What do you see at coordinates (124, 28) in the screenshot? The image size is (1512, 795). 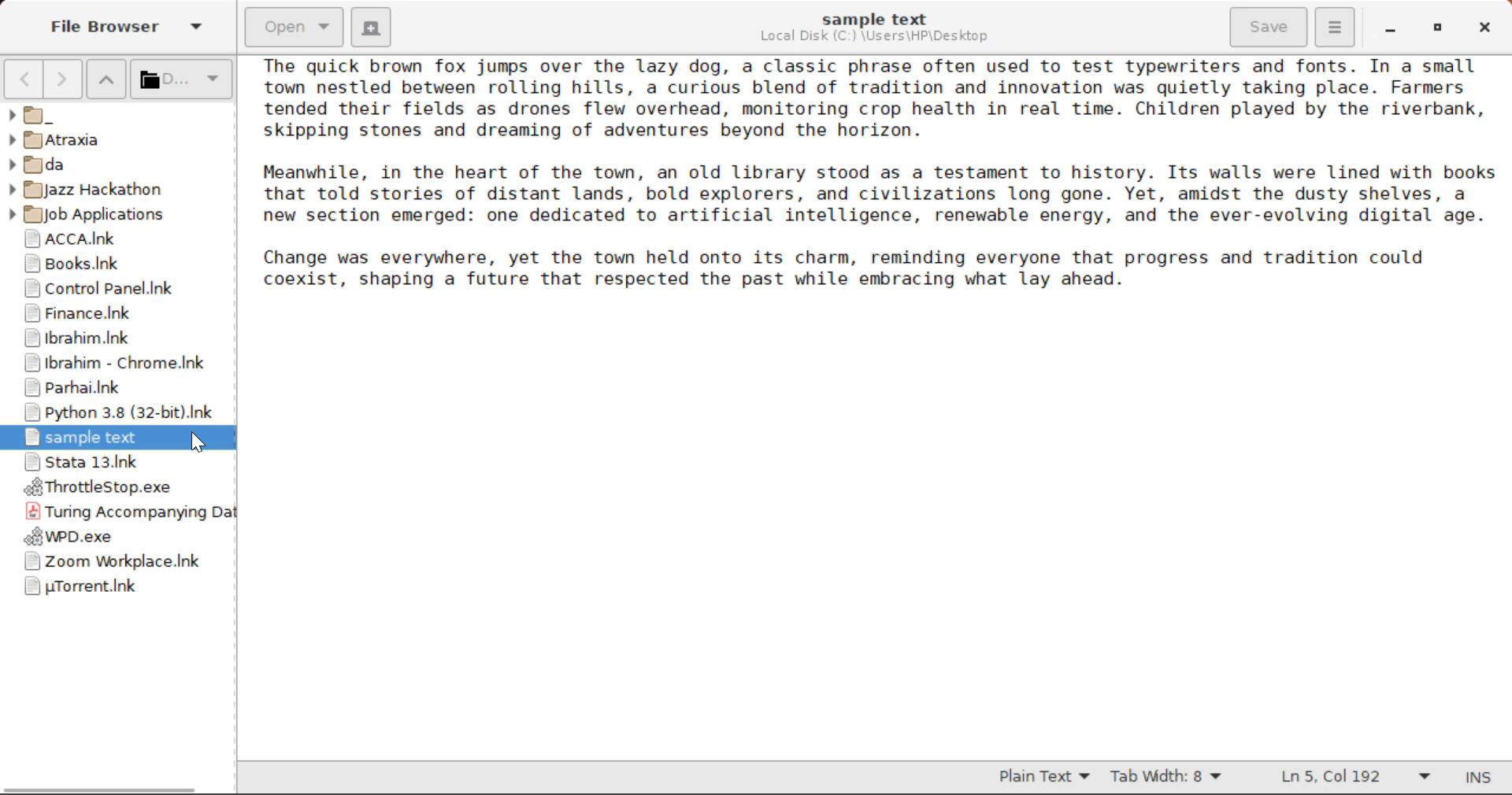 I see `File Browser Tab` at bounding box center [124, 28].